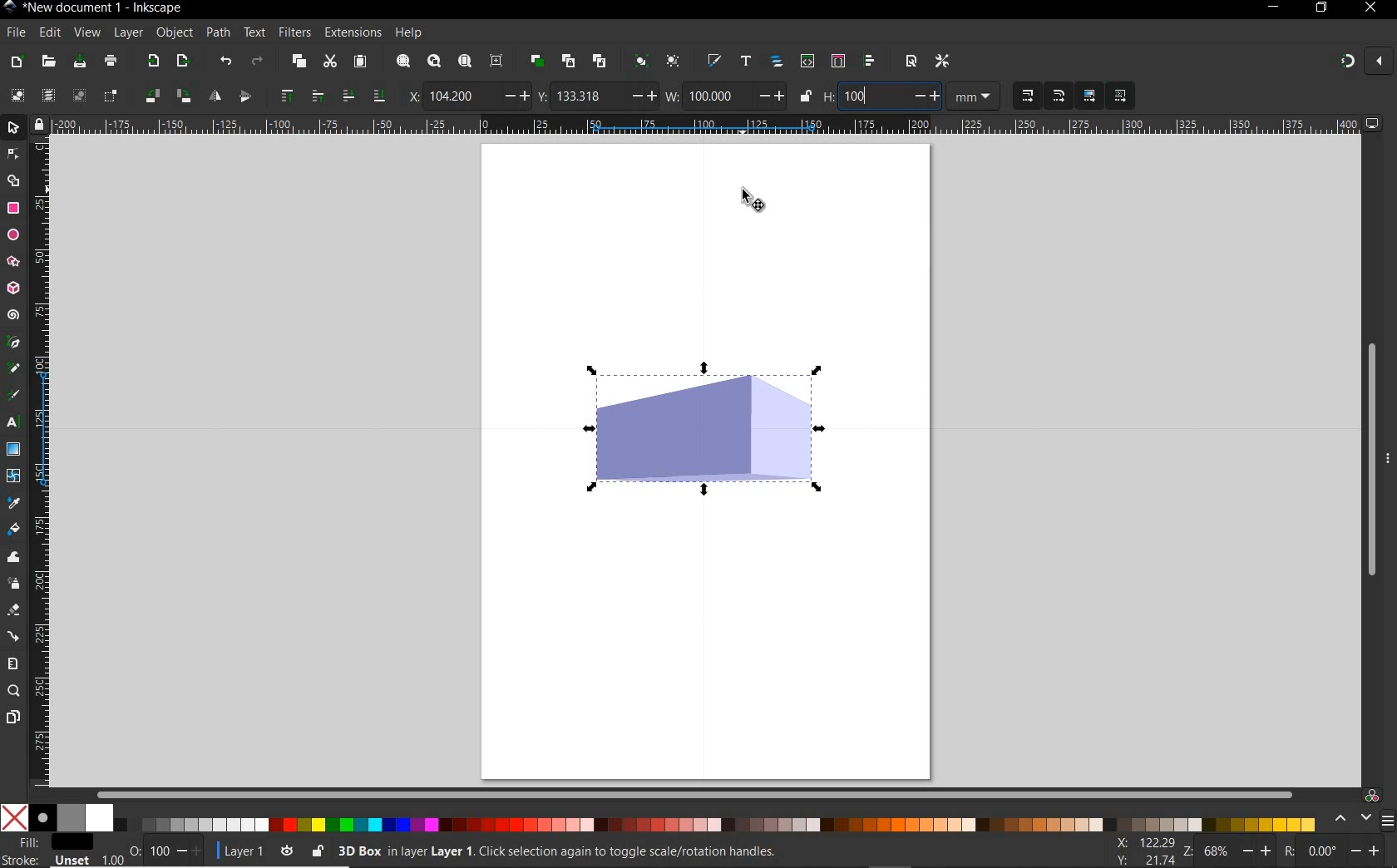  What do you see at coordinates (1256, 853) in the screenshot?
I see `increase/decrease` at bounding box center [1256, 853].